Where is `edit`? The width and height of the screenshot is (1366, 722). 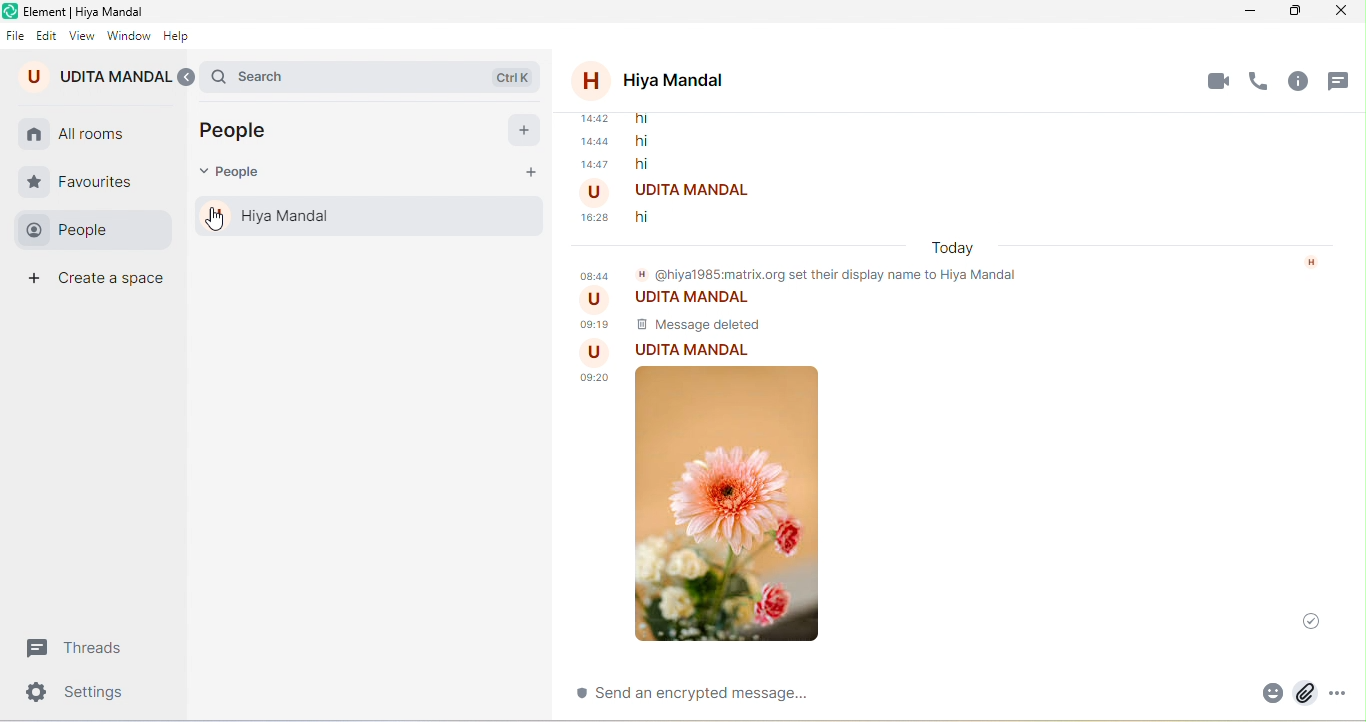
edit is located at coordinates (47, 31).